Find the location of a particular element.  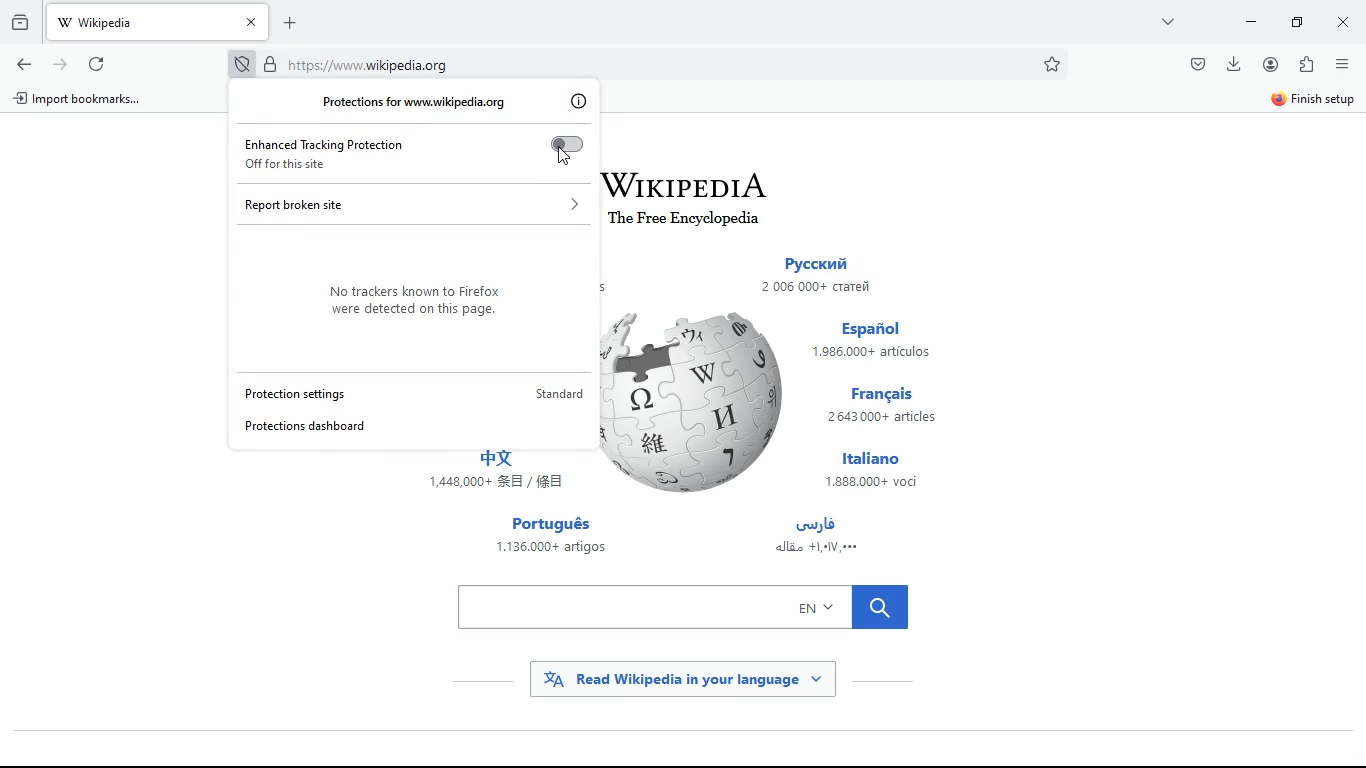

wikipedia is located at coordinates (692, 179).